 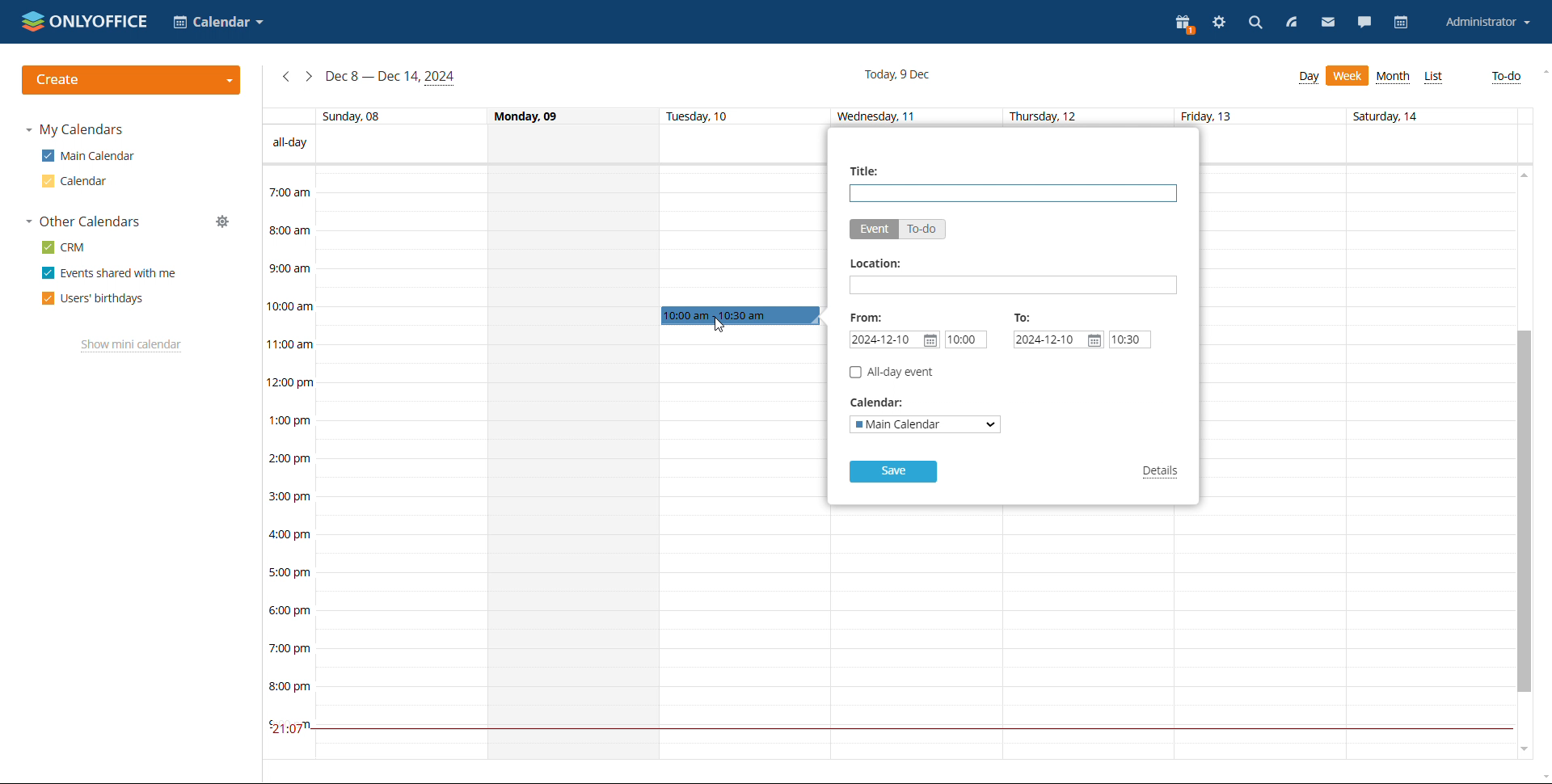 What do you see at coordinates (883, 403) in the screenshot?
I see `Calendar:` at bounding box center [883, 403].